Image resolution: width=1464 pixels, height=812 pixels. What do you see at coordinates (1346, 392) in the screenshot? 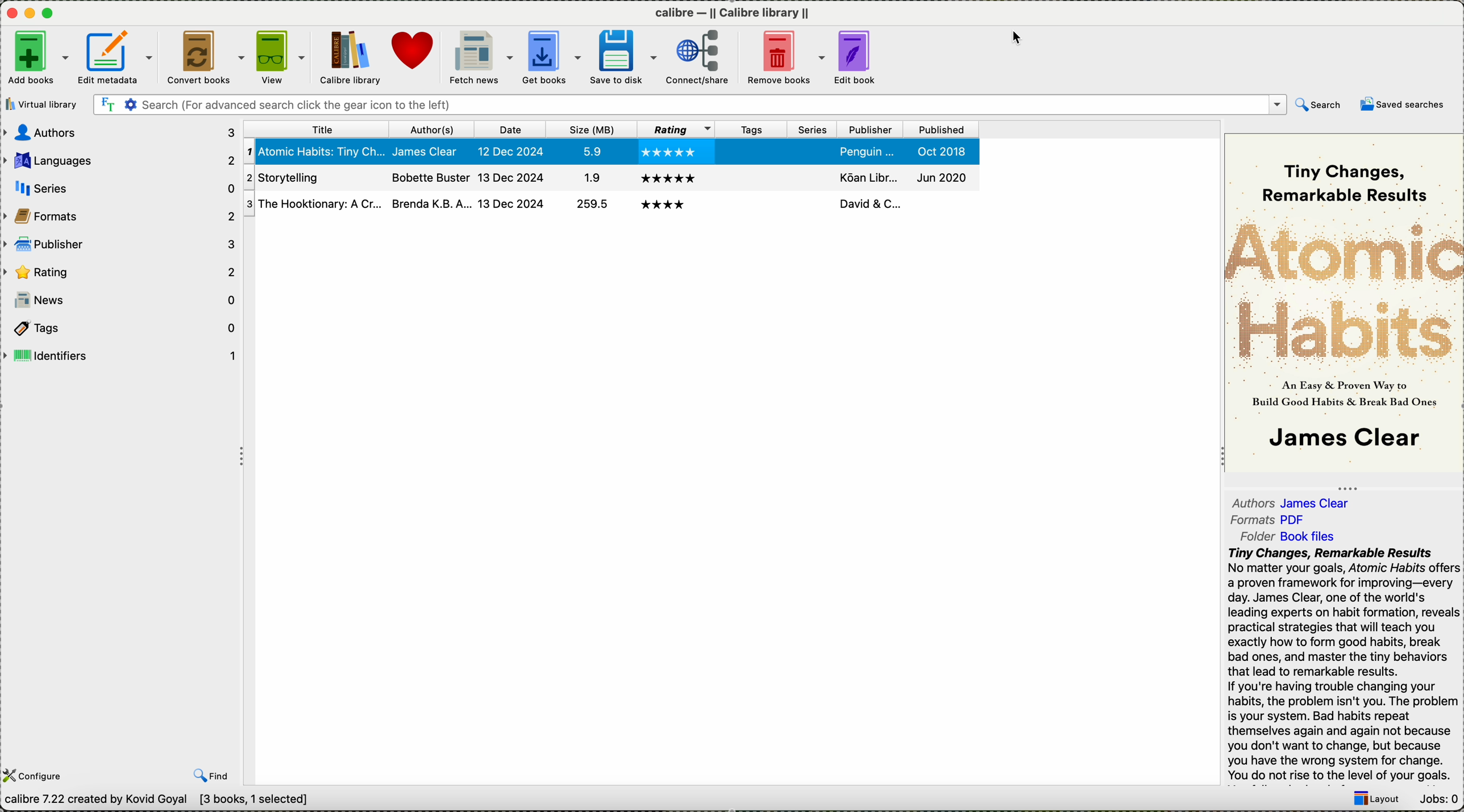
I see `An easy & Proven way to Build Good Habits & Break Bad Ones` at bounding box center [1346, 392].